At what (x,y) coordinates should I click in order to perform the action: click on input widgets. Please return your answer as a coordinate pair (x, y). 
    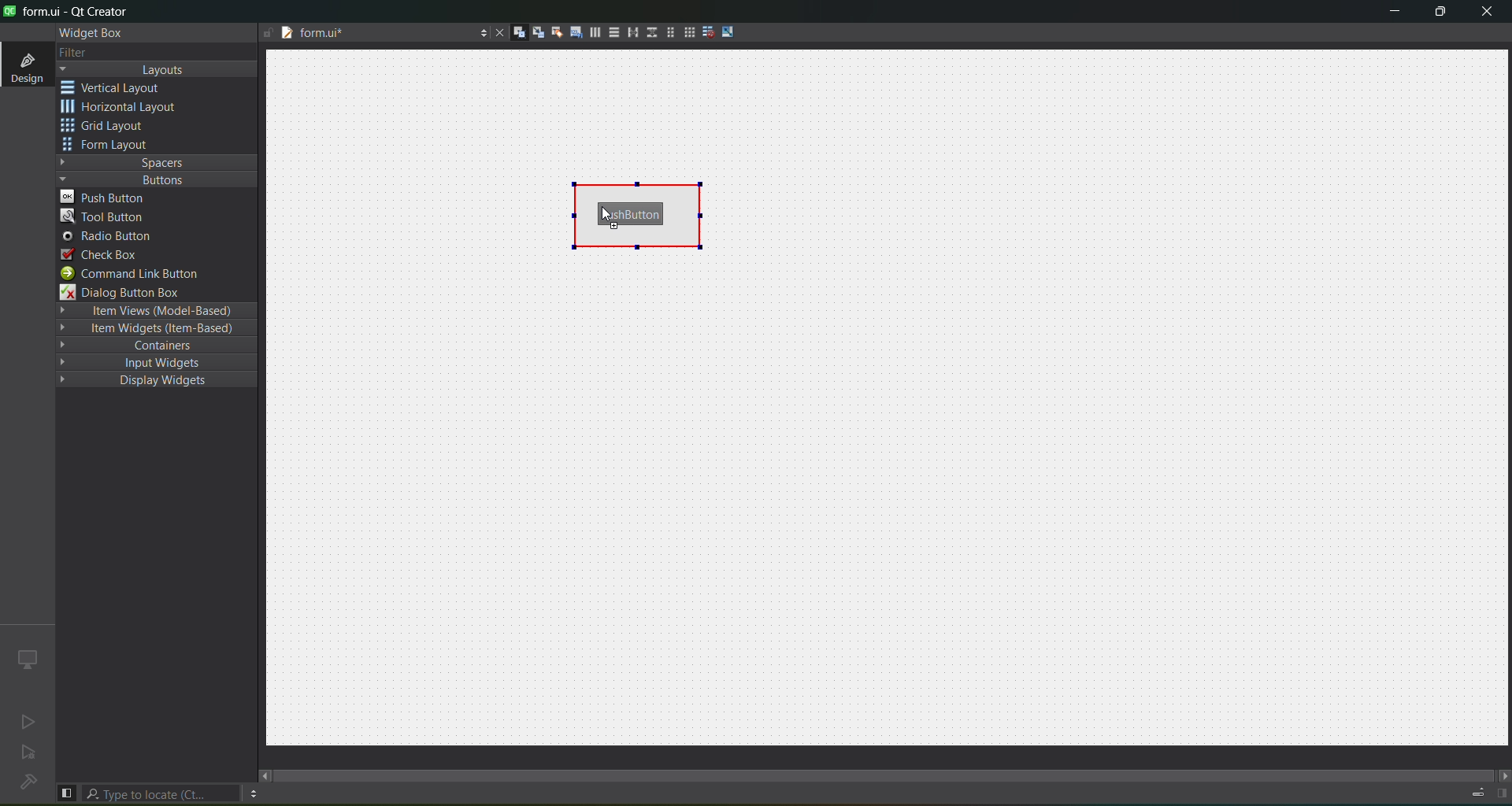
    Looking at the image, I should click on (149, 362).